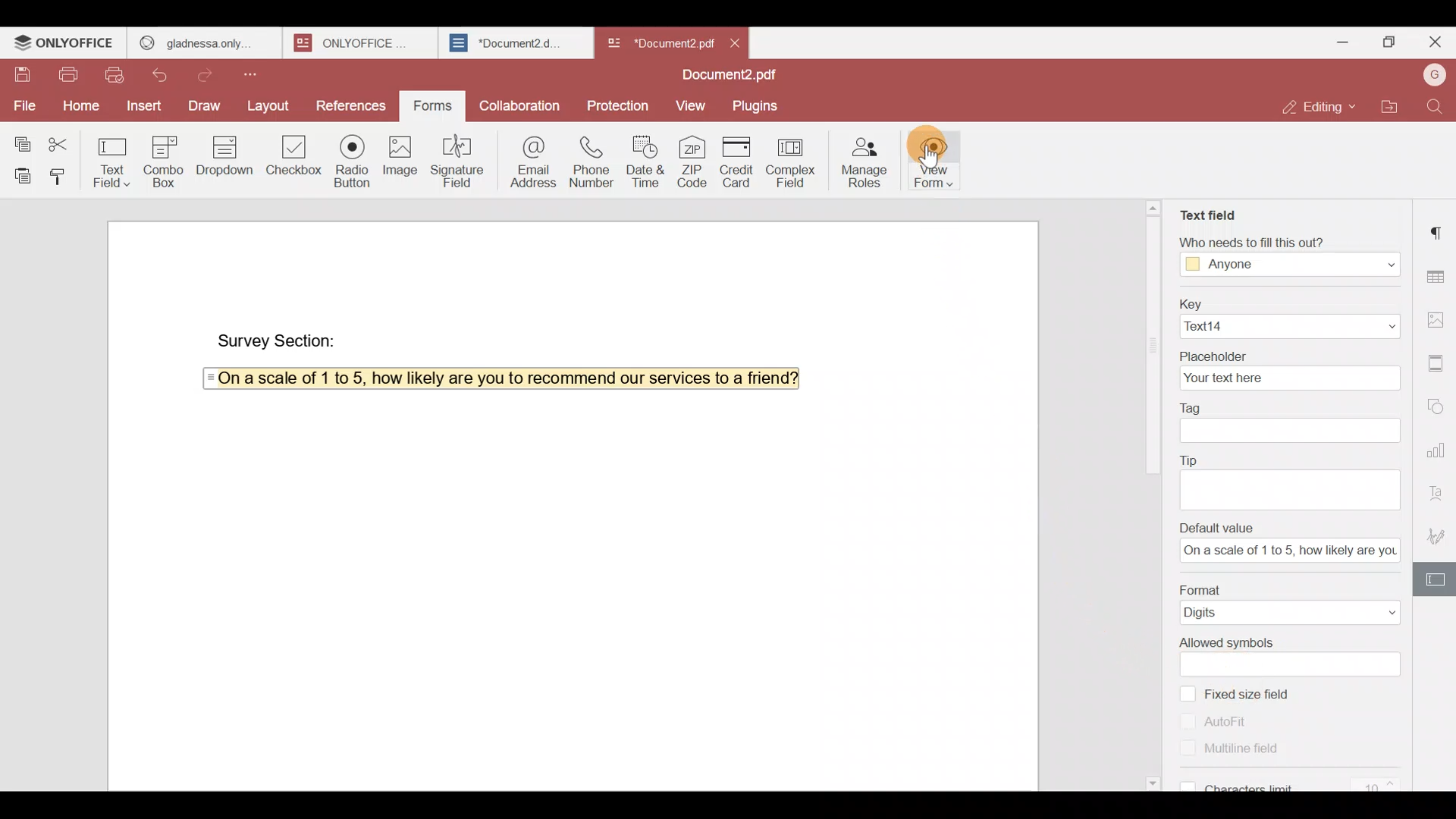 Image resolution: width=1456 pixels, height=819 pixels. I want to click on Cut, so click(64, 140).